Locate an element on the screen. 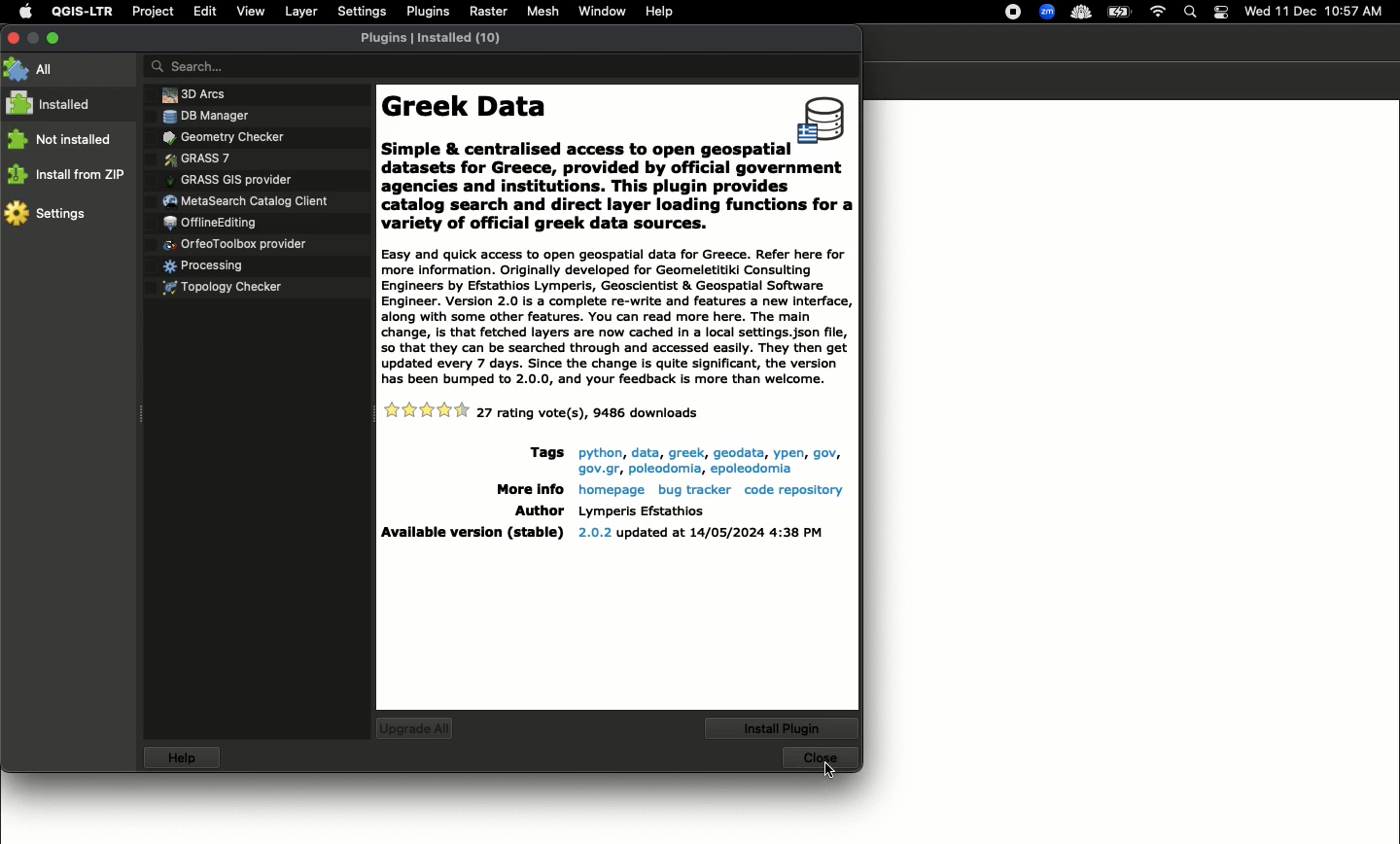  Help is located at coordinates (185, 759).